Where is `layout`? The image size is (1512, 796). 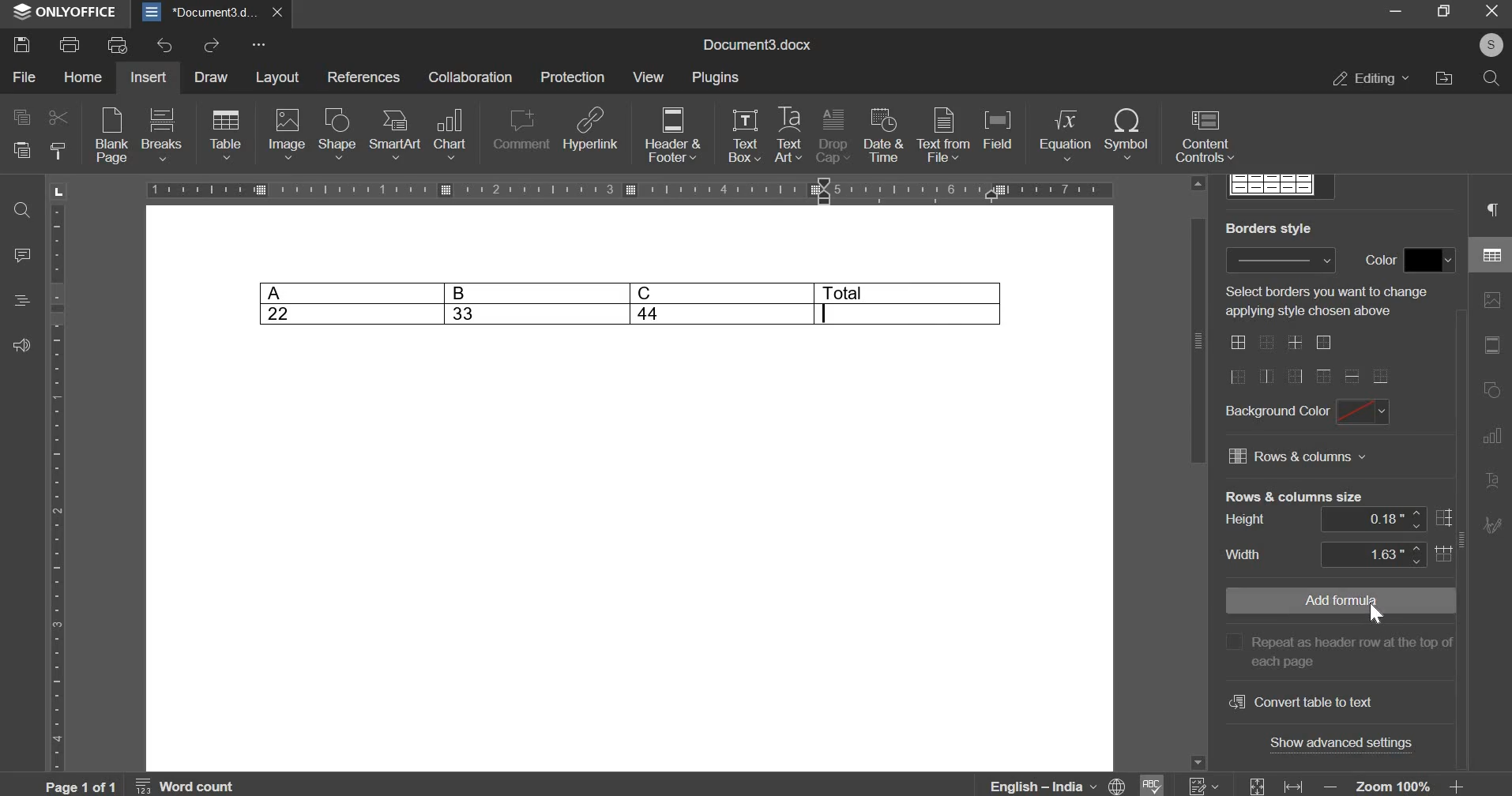 layout is located at coordinates (280, 77).